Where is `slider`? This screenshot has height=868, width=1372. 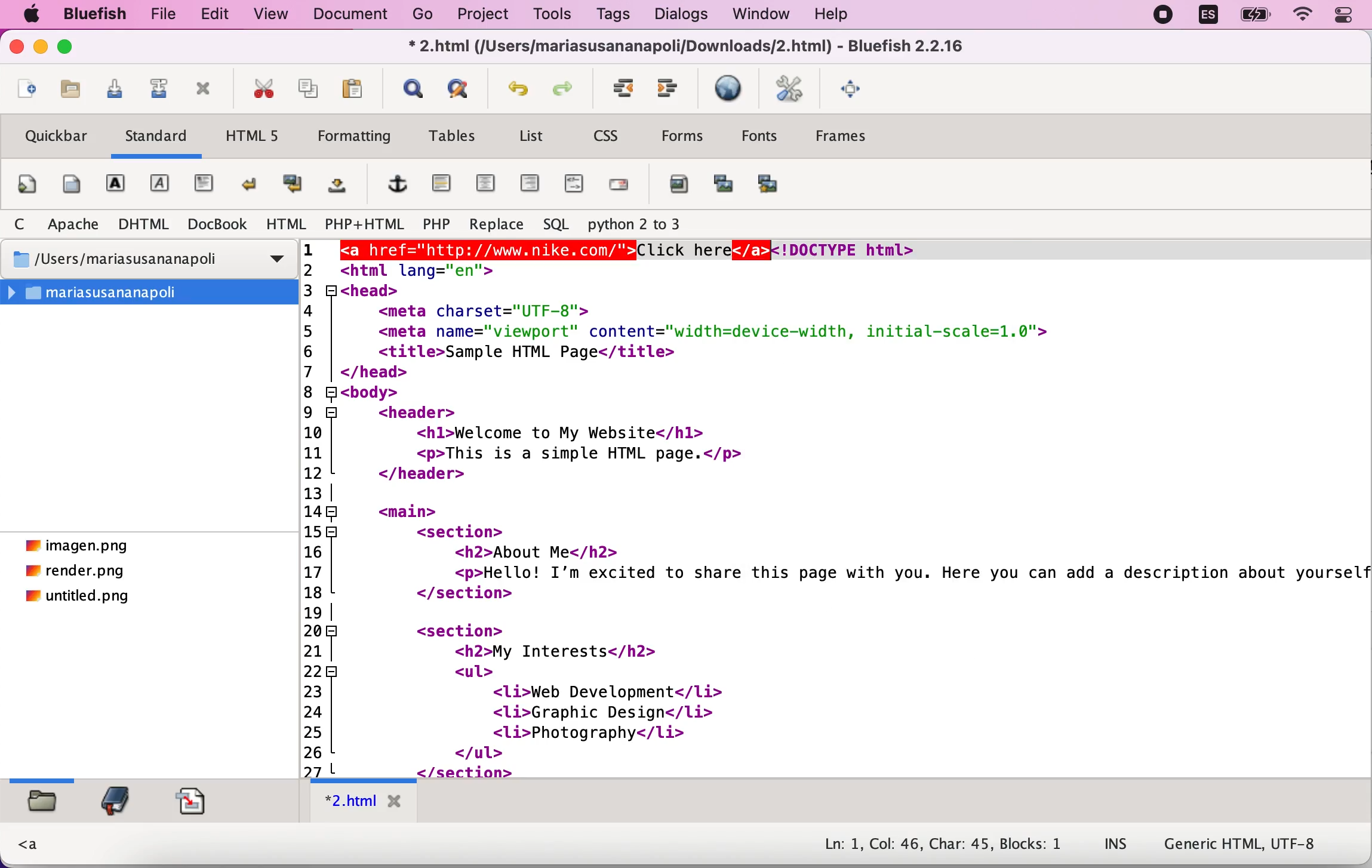
slider is located at coordinates (45, 778).